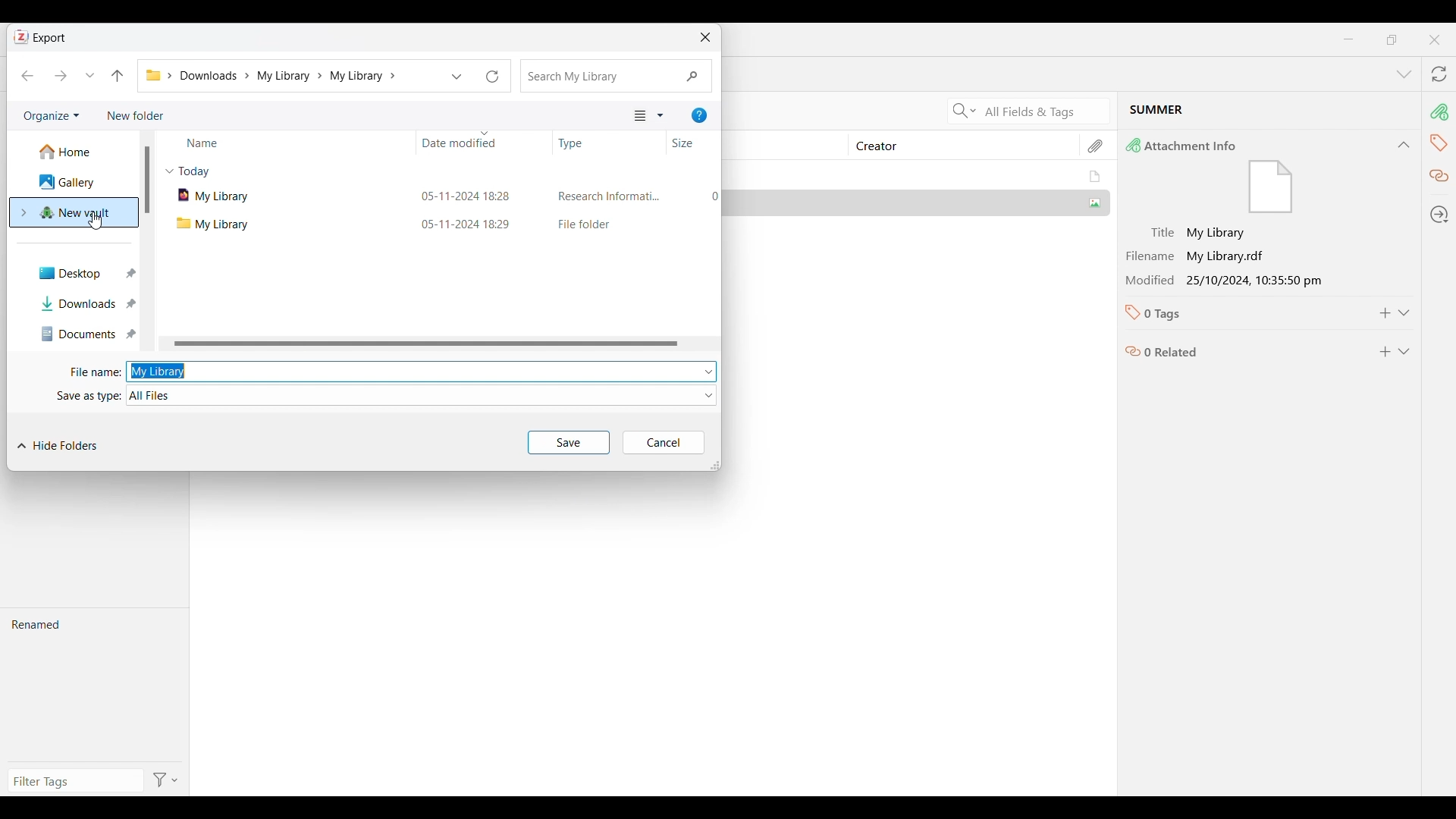  Describe the element at coordinates (90, 372) in the screenshot. I see `File name :` at that location.